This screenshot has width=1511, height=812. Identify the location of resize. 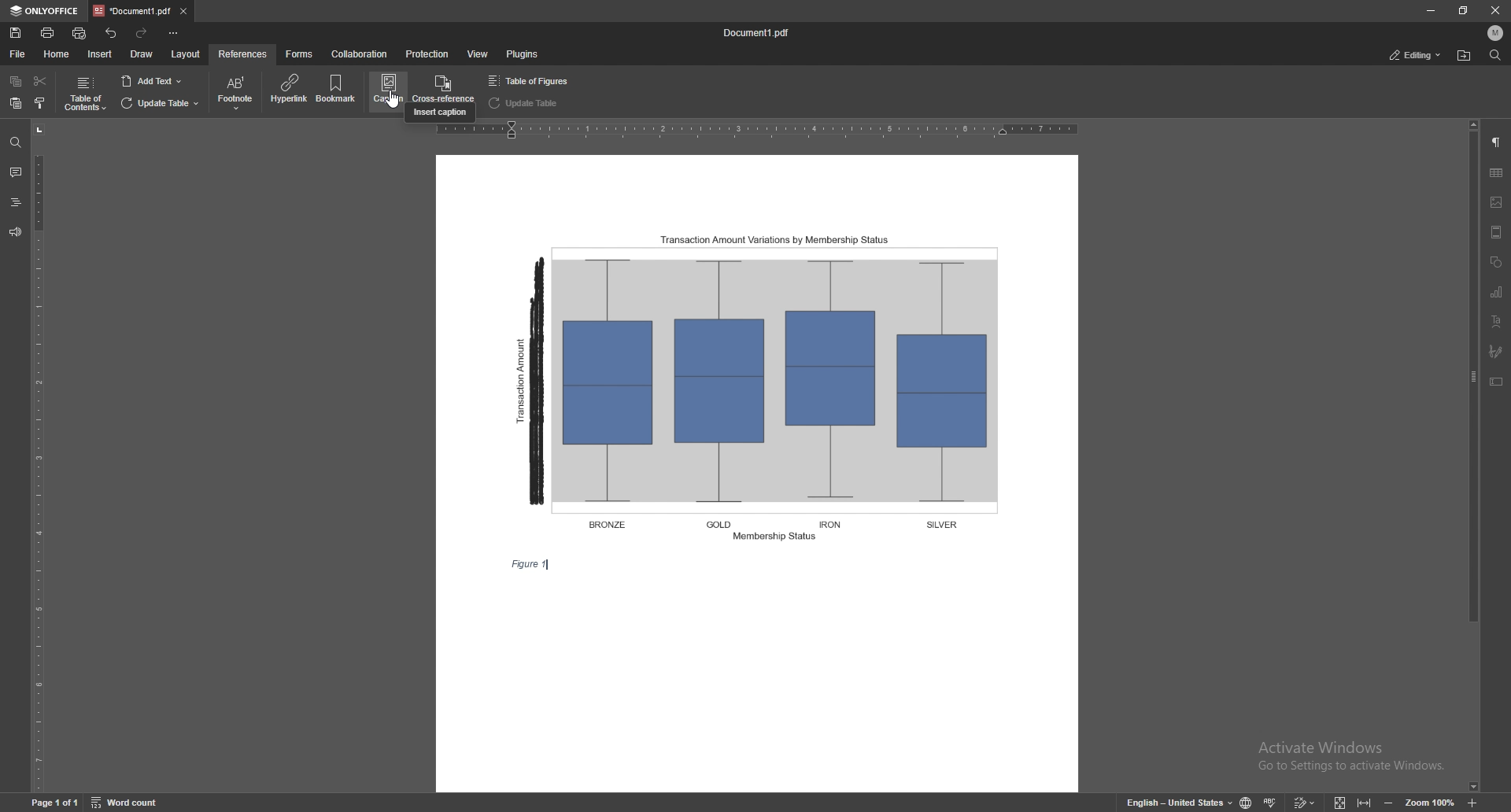
(1461, 10).